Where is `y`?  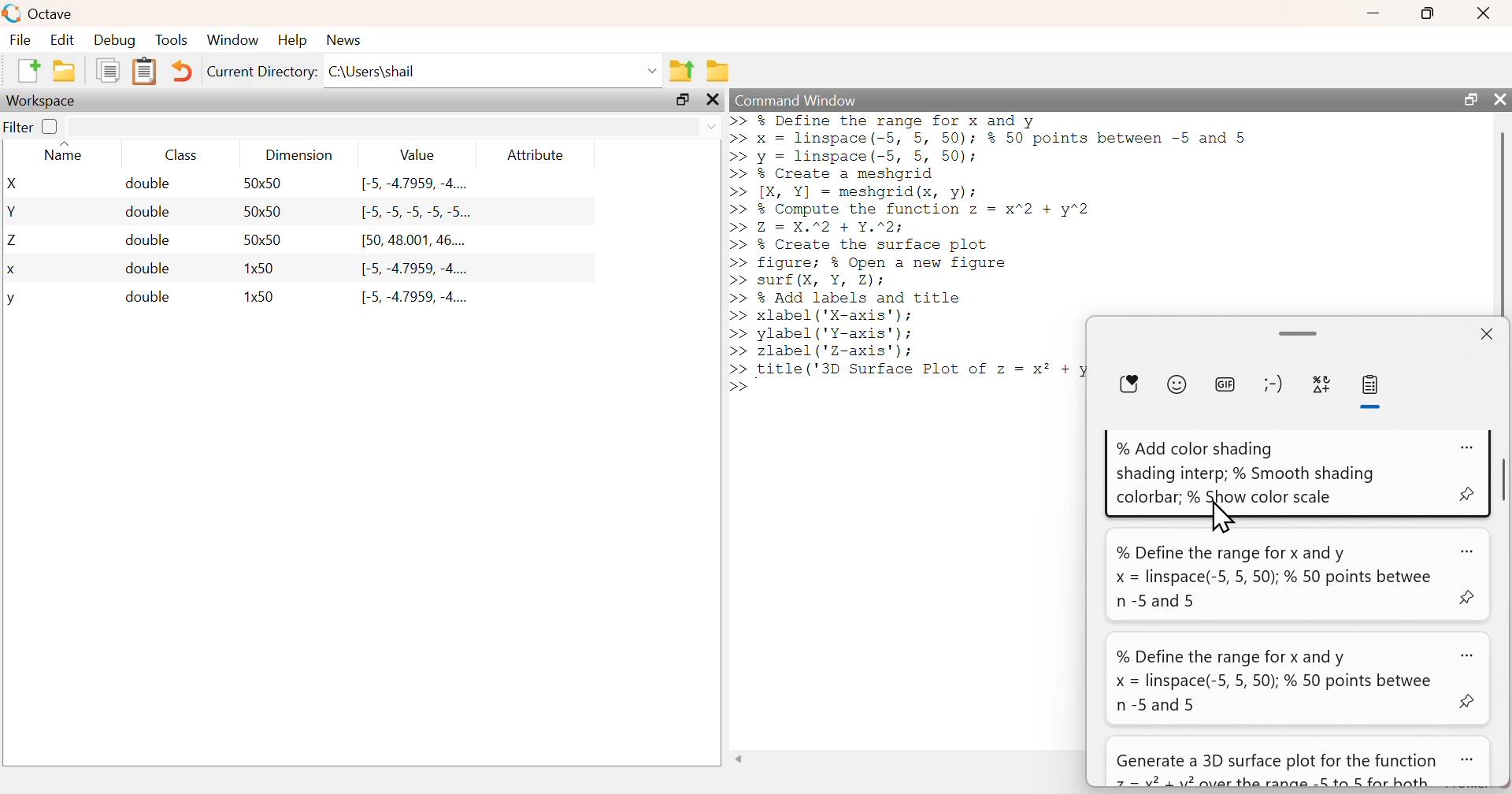 y is located at coordinates (11, 300).